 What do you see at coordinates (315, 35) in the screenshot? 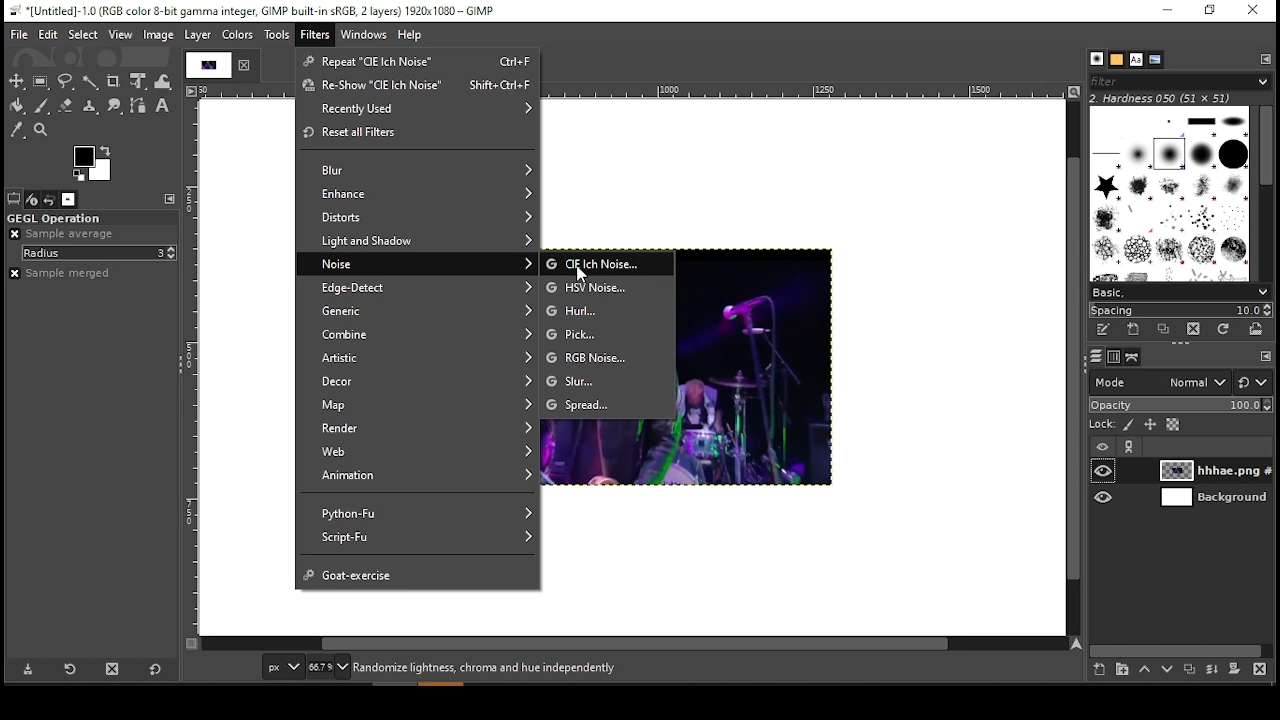
I see `filter` at bounding box center [315, 35].